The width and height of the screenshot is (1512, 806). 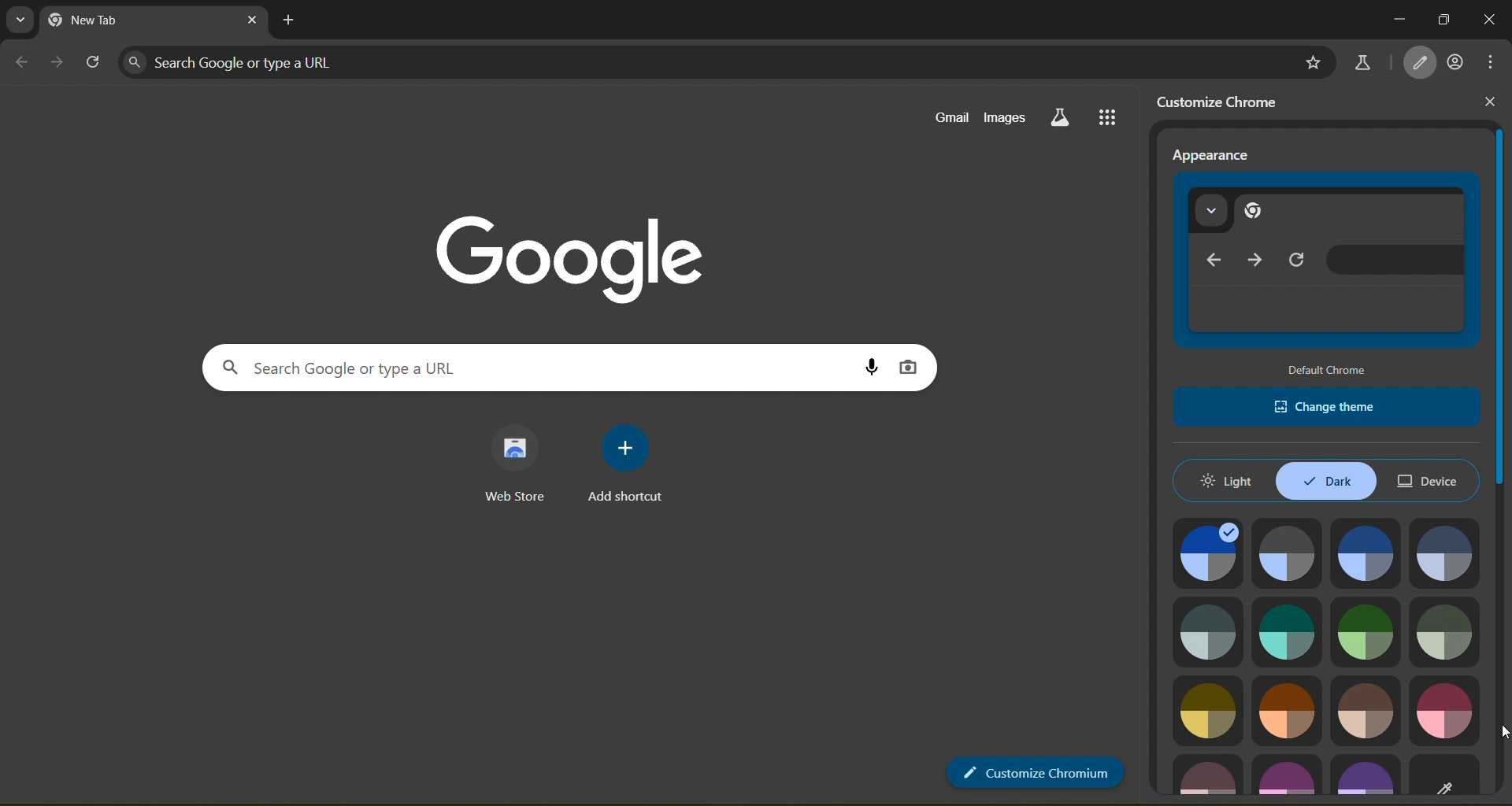 I want to click on add shortcut, so click(x=632, y=466).